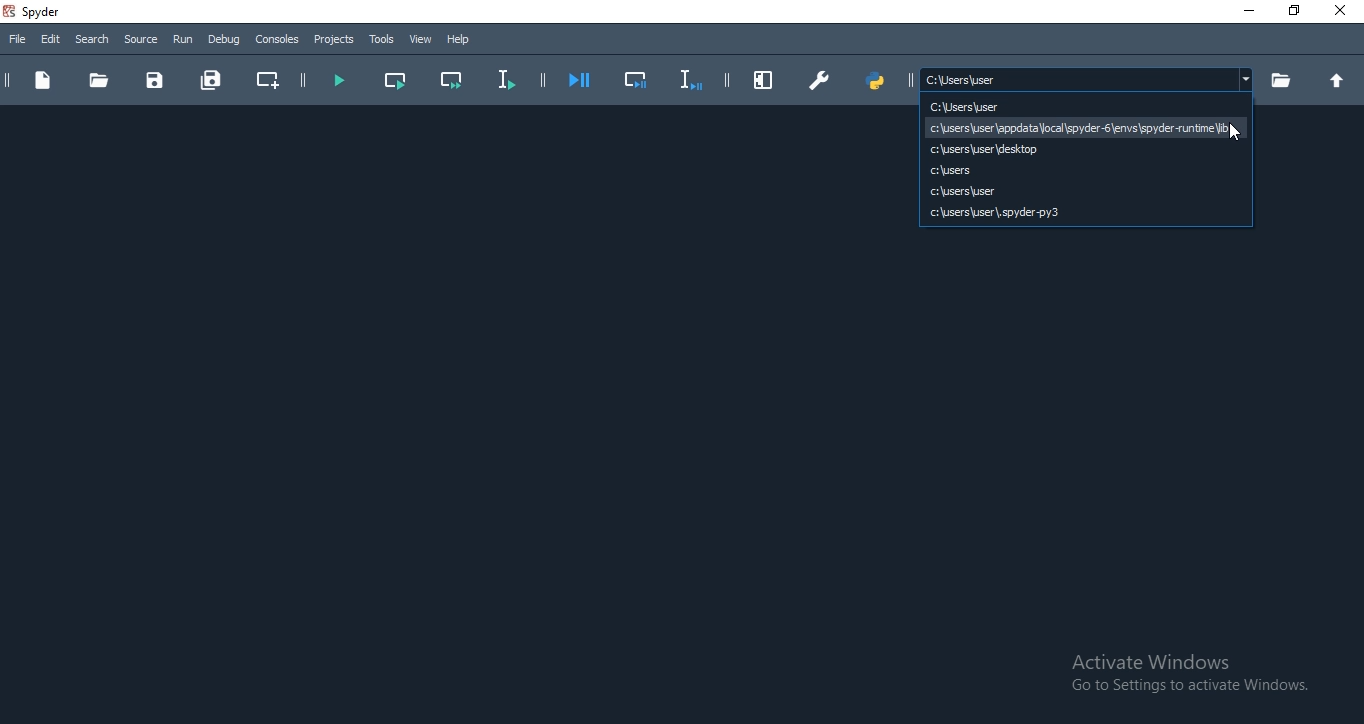 This screenshot has height=724, width=1364. Describe the element at coordinates (393, 78) in the screenshot. I see `run current cell` at that location.